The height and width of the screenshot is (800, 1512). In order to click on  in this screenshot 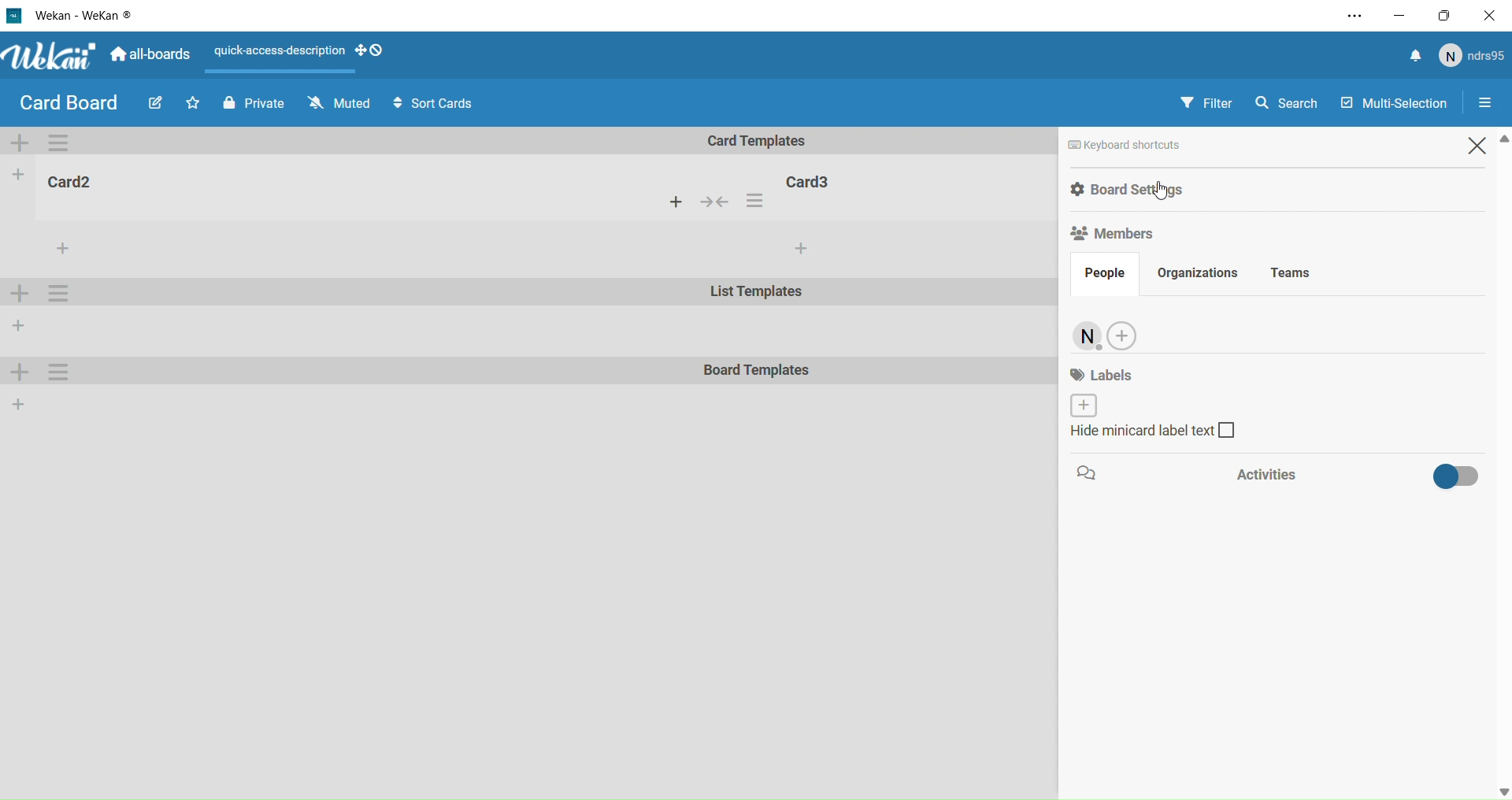, I will do `click(19, 172)`.